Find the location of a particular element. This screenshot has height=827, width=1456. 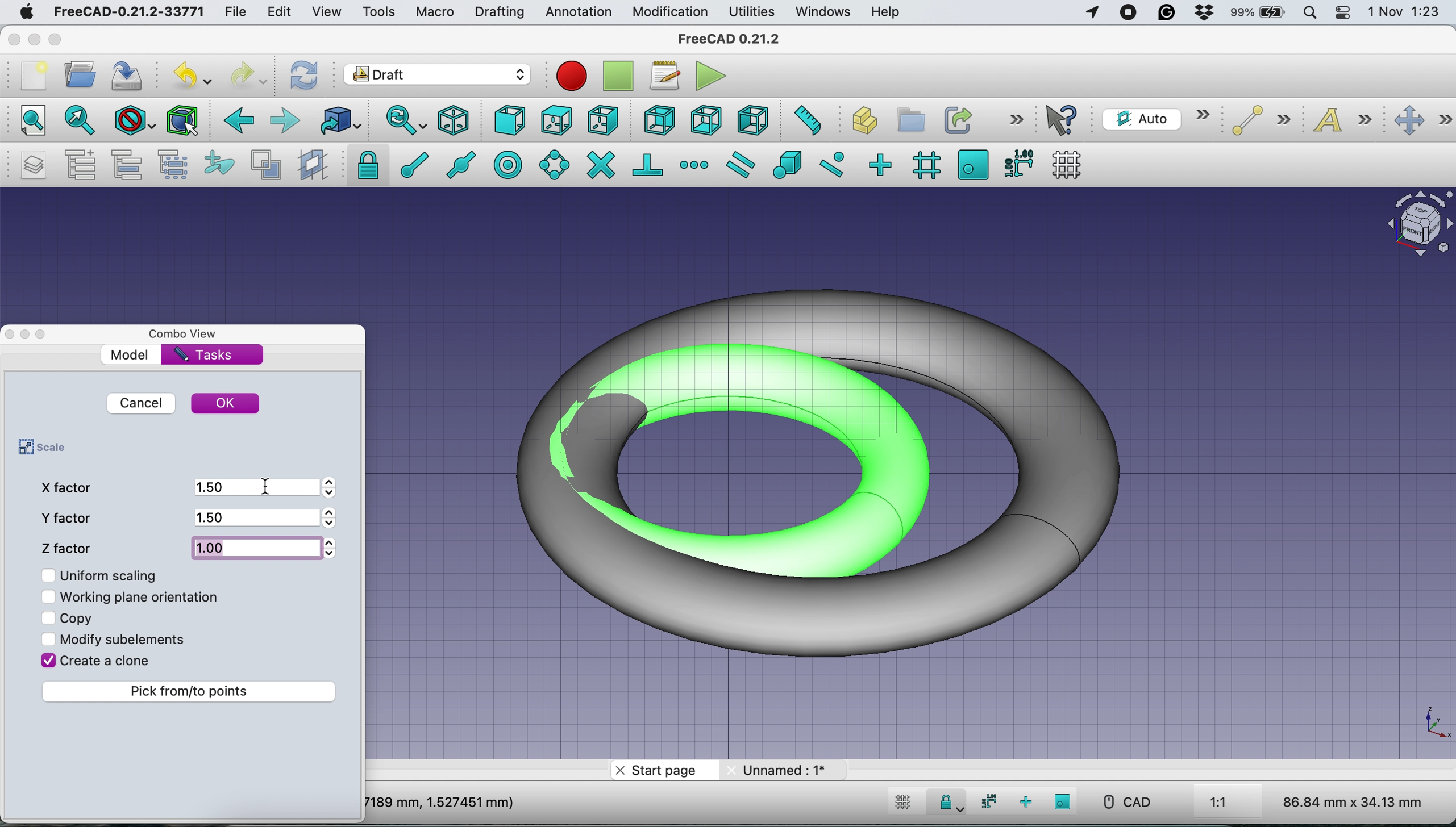

battery is located at coordinates (1259, 14).